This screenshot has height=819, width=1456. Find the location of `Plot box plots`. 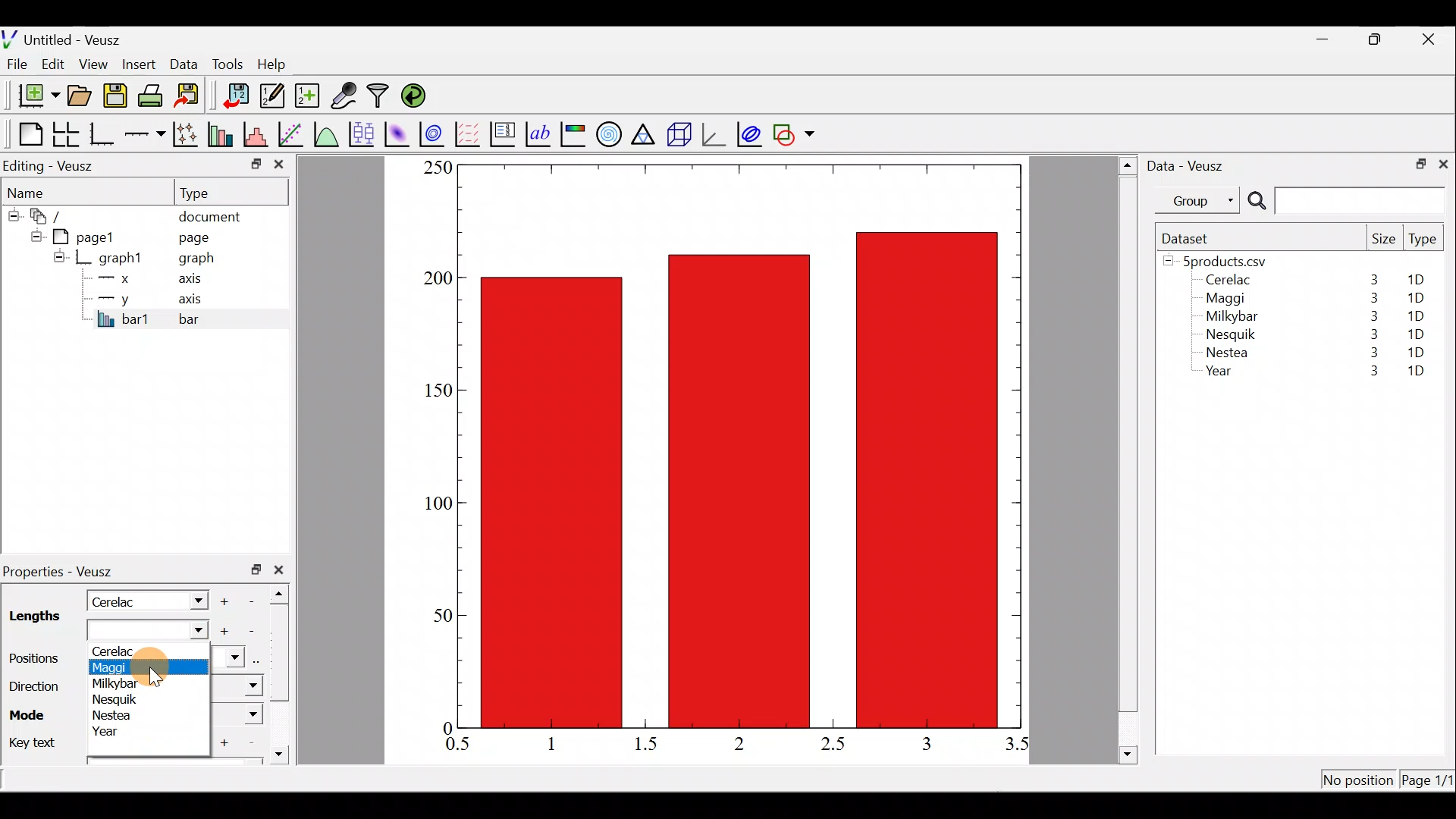

Plot box plots is located at coordinates (363, 133).